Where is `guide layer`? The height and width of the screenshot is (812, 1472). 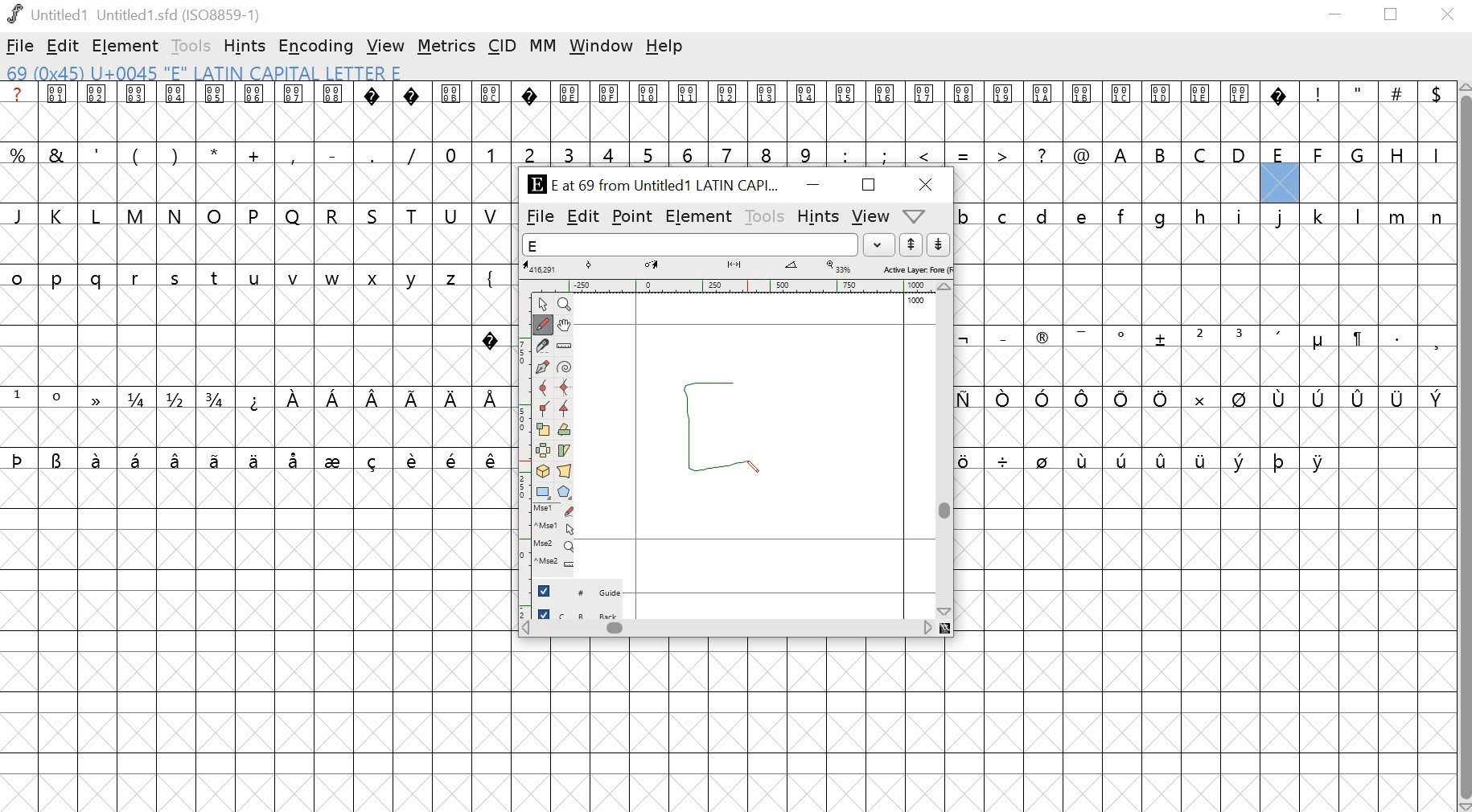 guide layer is located at coordinates (578, 594).